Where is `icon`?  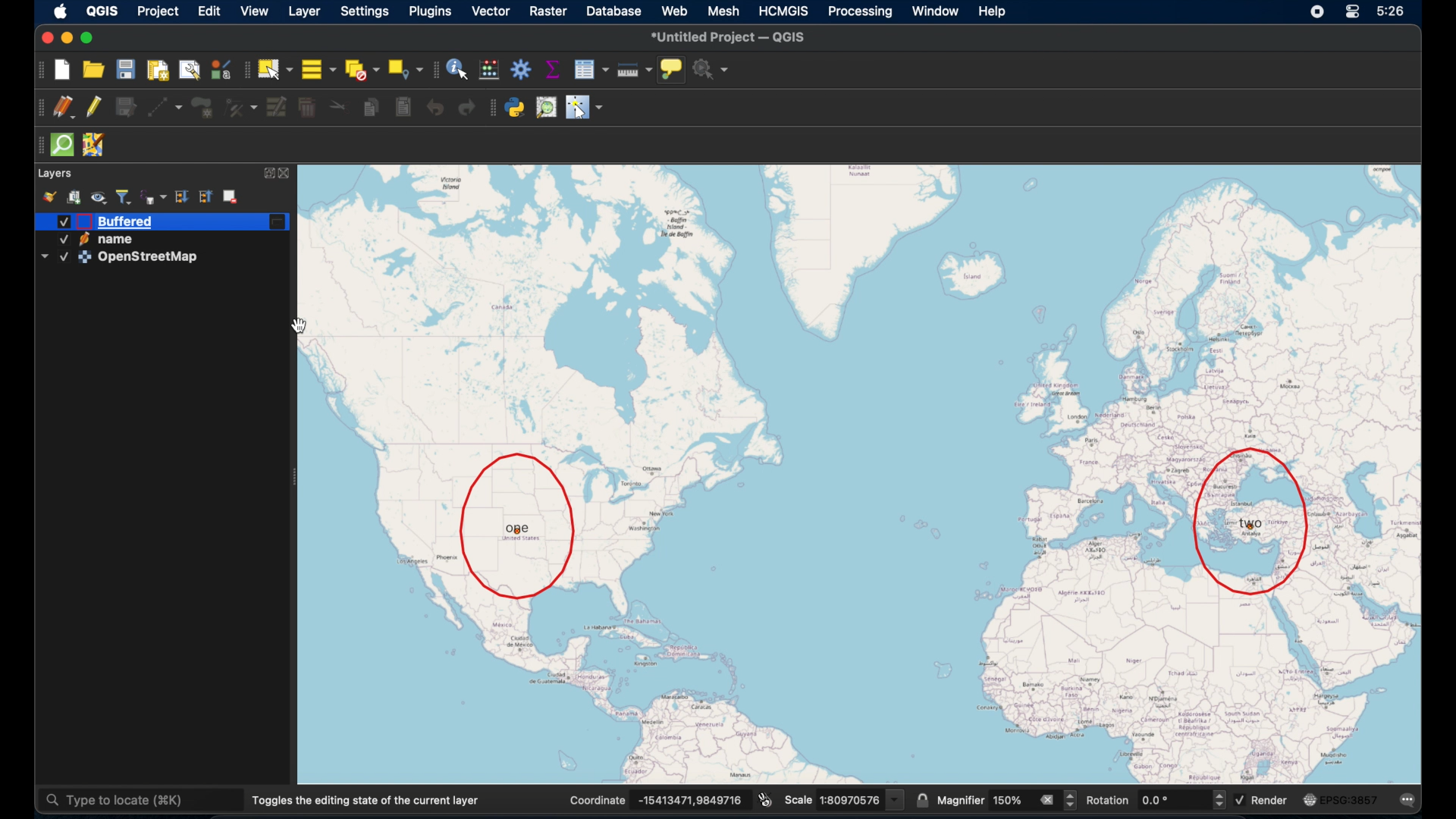
icon is located at coordinates (1308, 800).